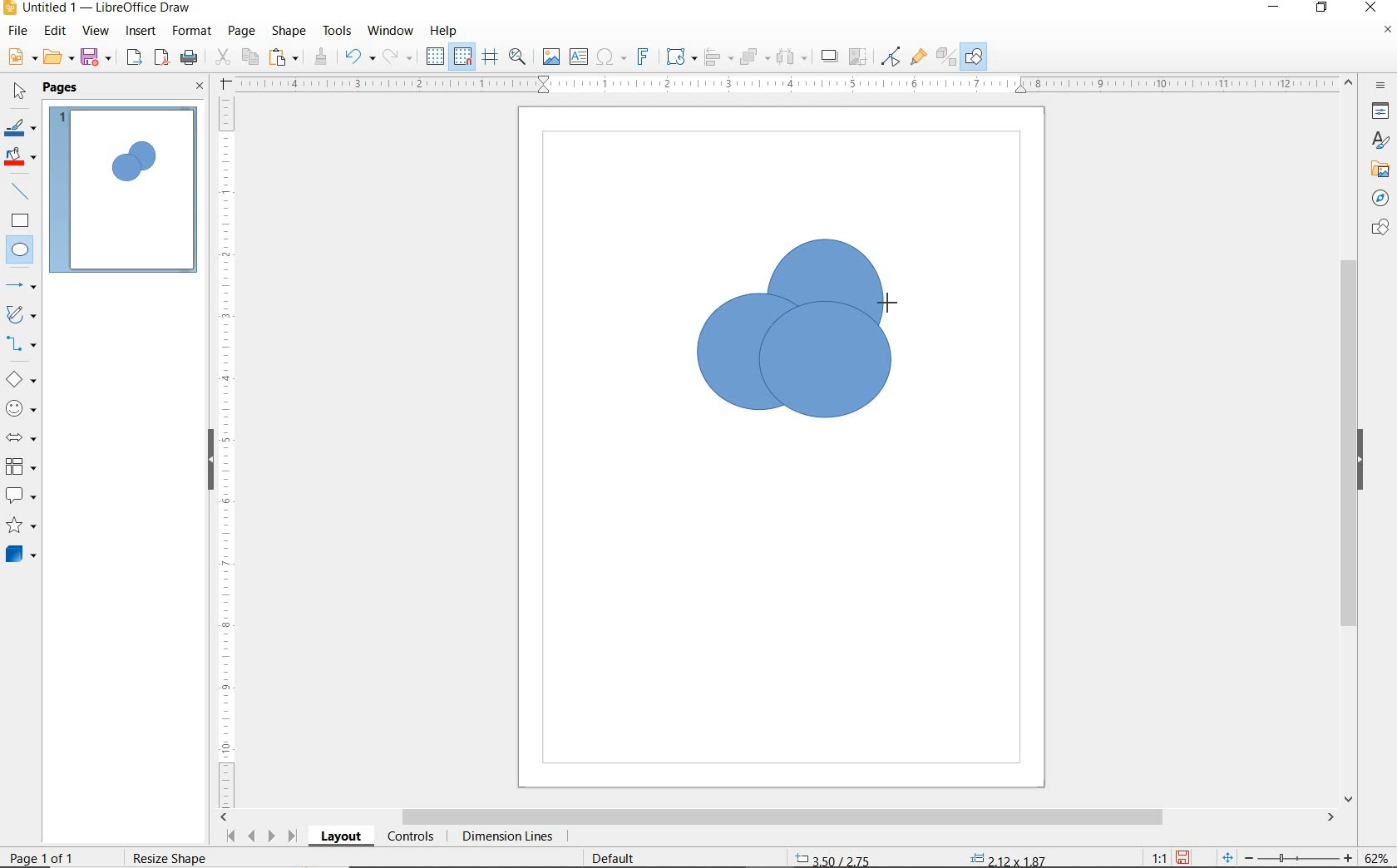 The width and height of the screenshot is (1397, 868). What do you see at coordinates (390, 31) in the screenshot?
I see `WINDOW` at bounding box center [390, 31].